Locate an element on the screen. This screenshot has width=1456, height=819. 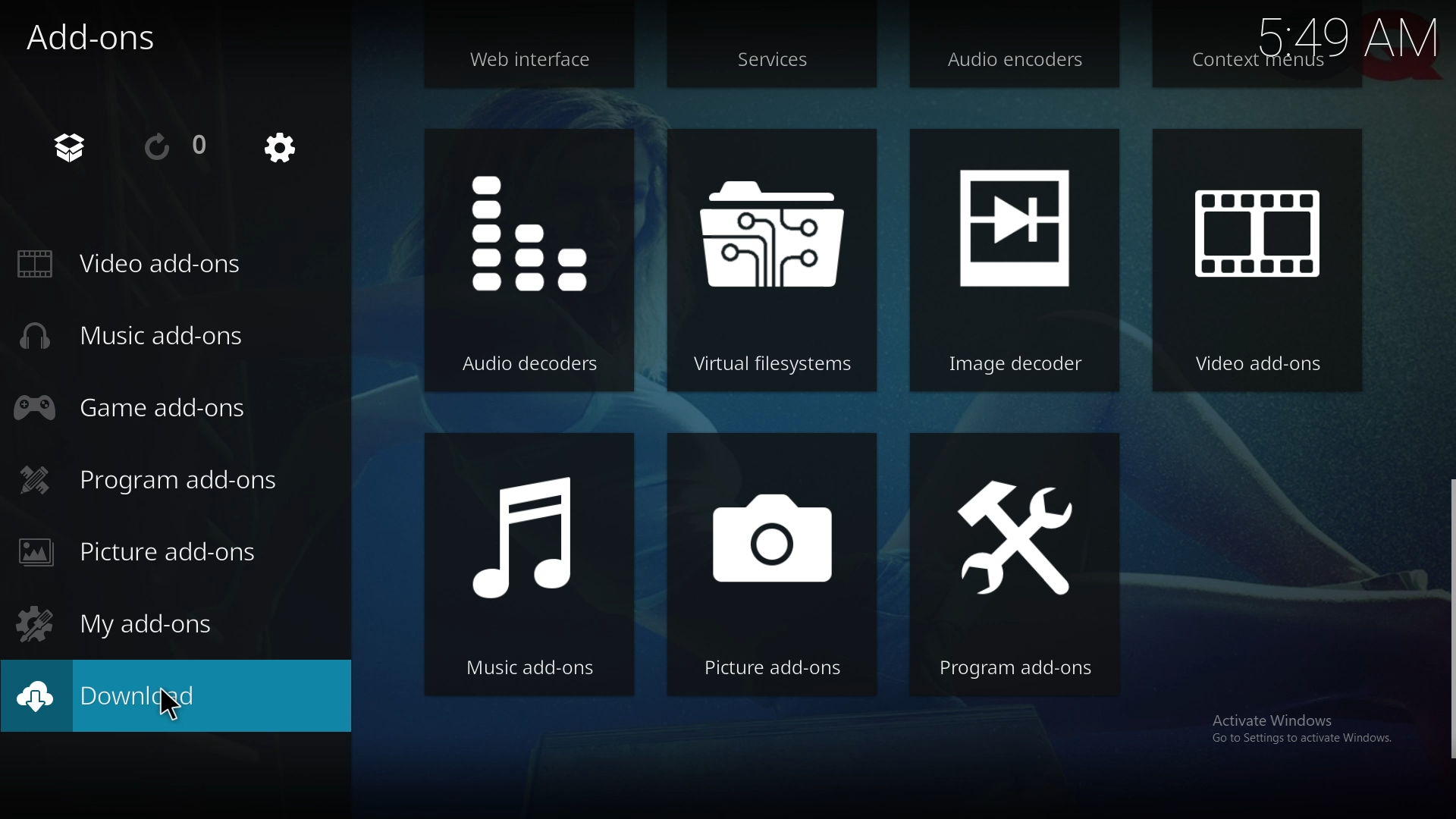
services is located at coordinates (770, 41).